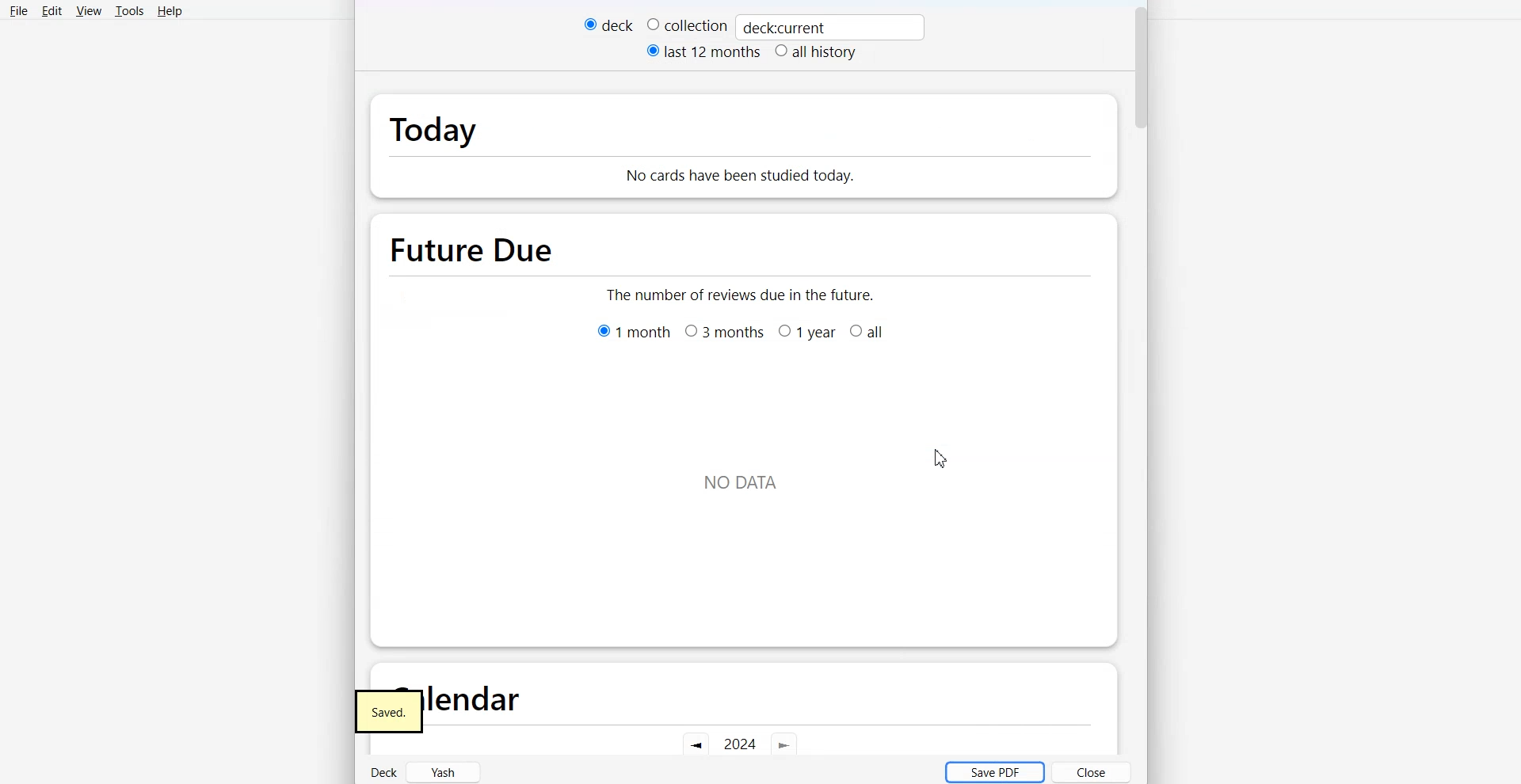  What do you see at coordinates (695, 745) in the screenshot?
I see `Go Back` at bounding box center [695, 745].